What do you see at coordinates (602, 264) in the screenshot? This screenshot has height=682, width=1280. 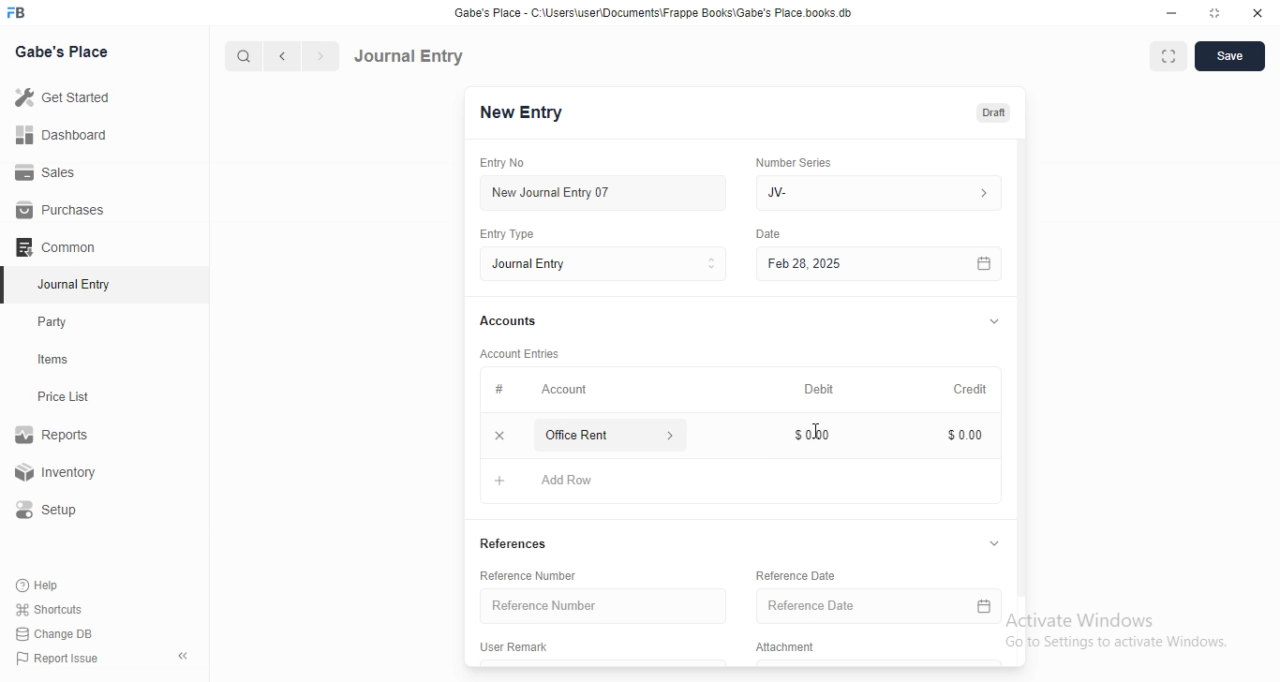 I see `Entry Type` at bounding box center [602, 264].